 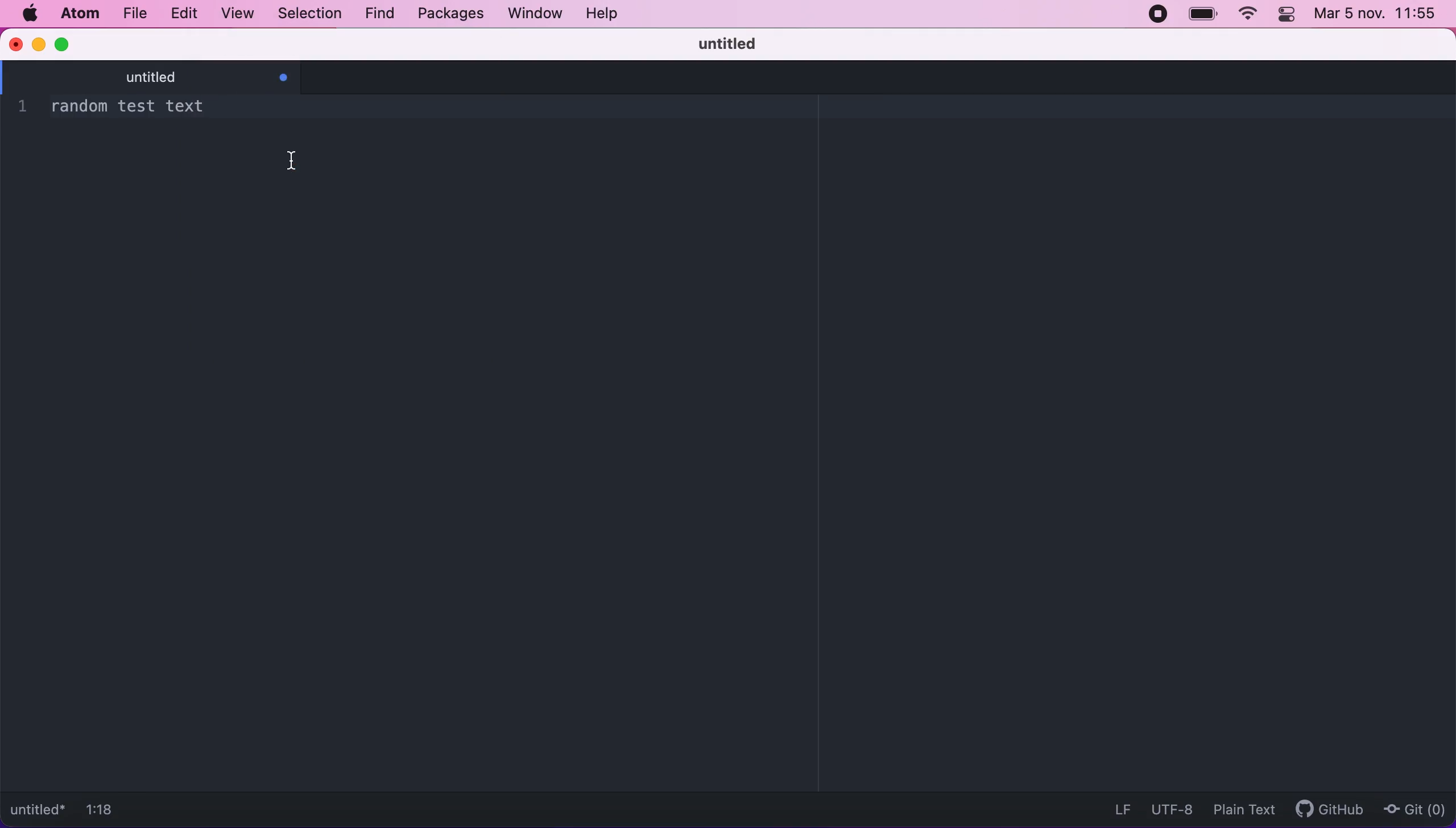 What do you see at coordinates (1413, 810) in the screenshot?
I see `Git (0)` at bounding box center [1413, 810].